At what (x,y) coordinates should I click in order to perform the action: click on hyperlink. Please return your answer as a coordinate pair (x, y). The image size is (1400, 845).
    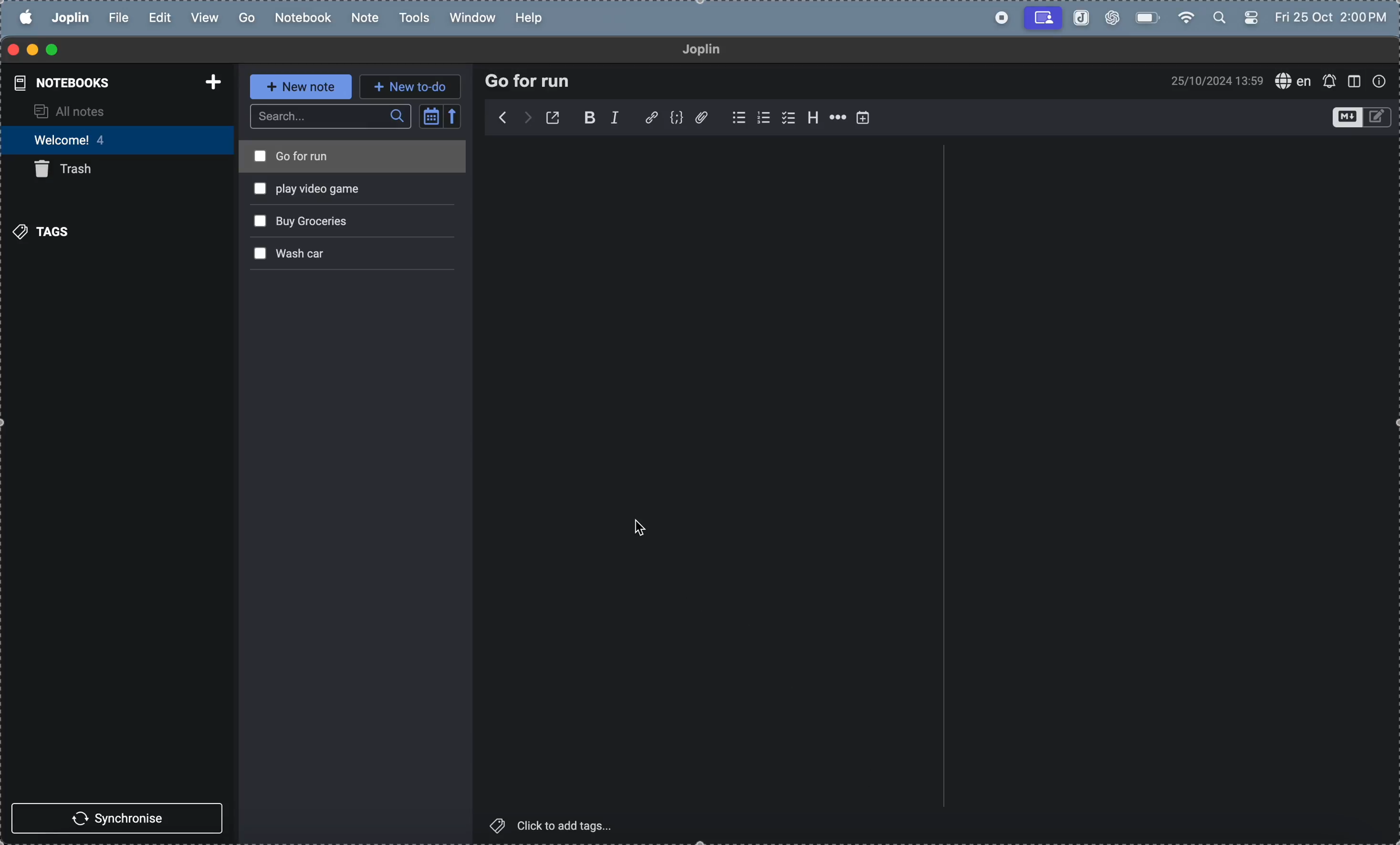
    Looking at the image, I should click on (650, 116).